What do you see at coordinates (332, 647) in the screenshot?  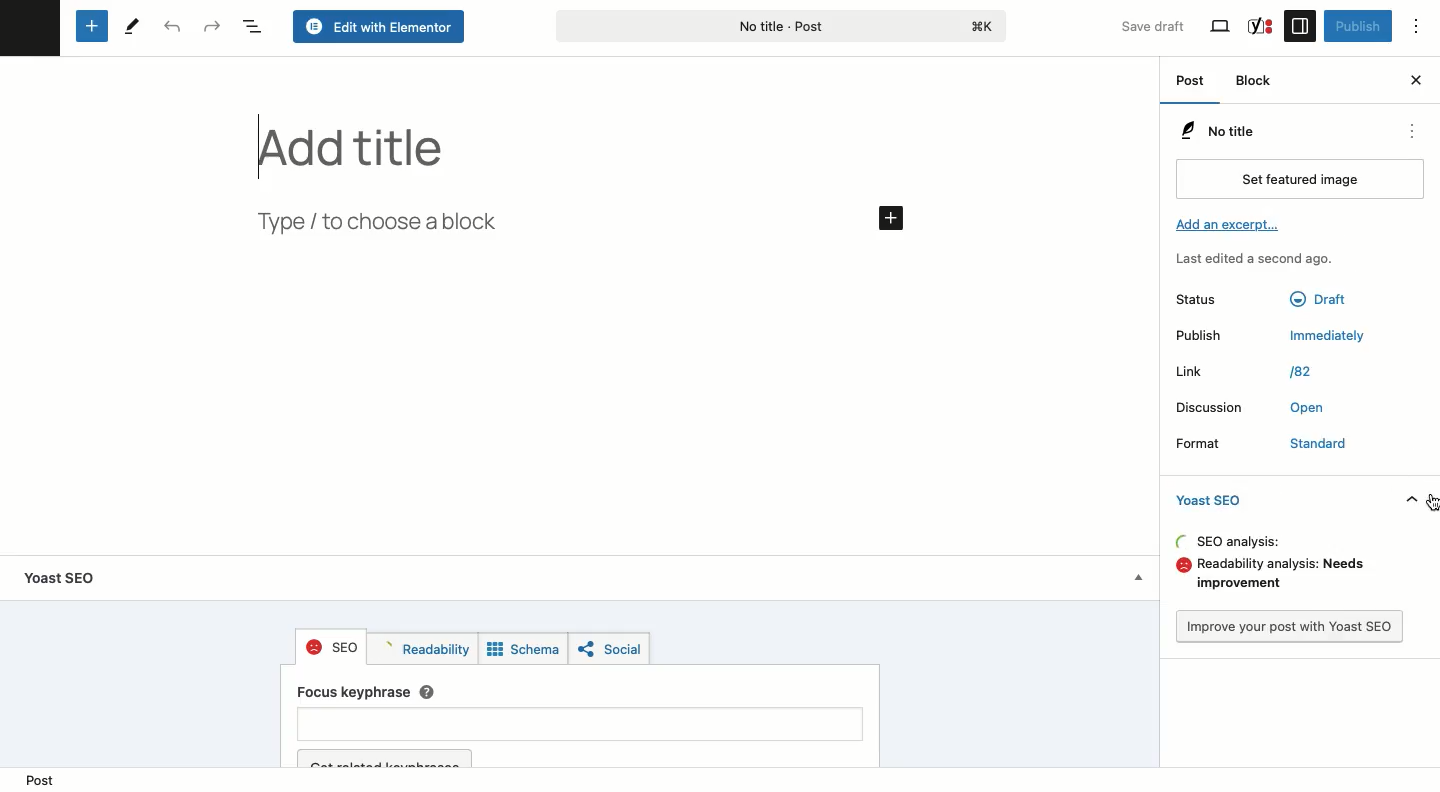 I see `SEO` at bounding box center [332, 647].